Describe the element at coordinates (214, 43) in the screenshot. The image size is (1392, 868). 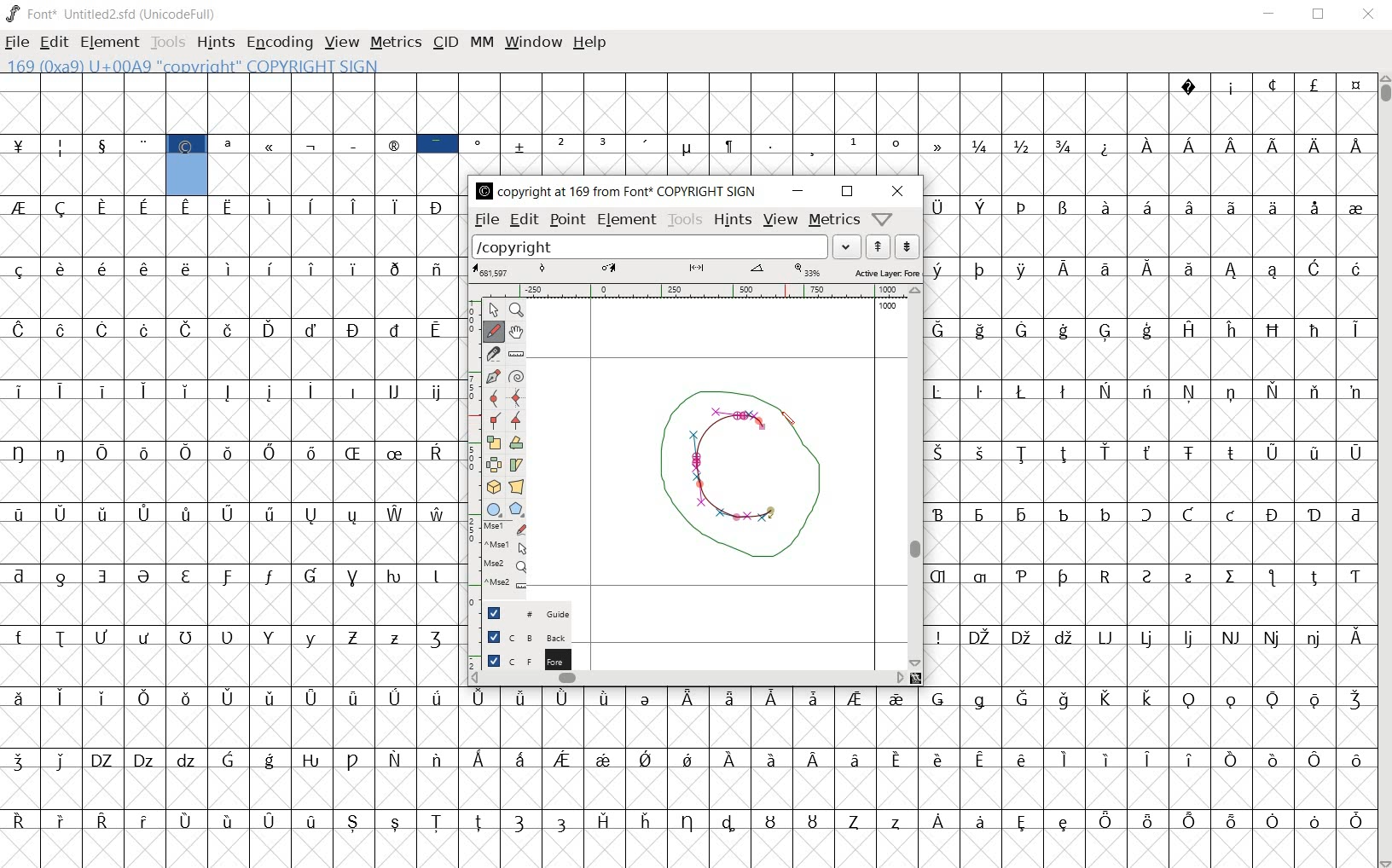
I see `hints` at that location.